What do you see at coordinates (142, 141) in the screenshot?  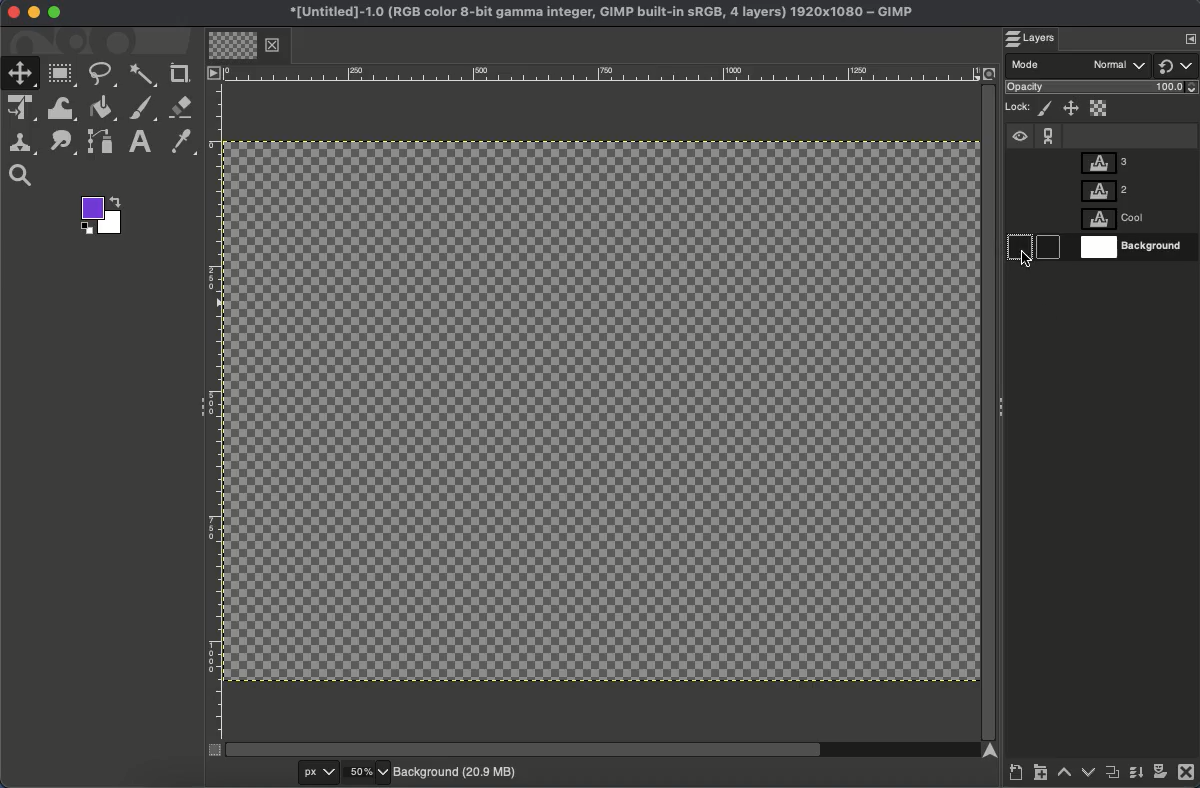 I see `Text` at bounding box center [142, 141].